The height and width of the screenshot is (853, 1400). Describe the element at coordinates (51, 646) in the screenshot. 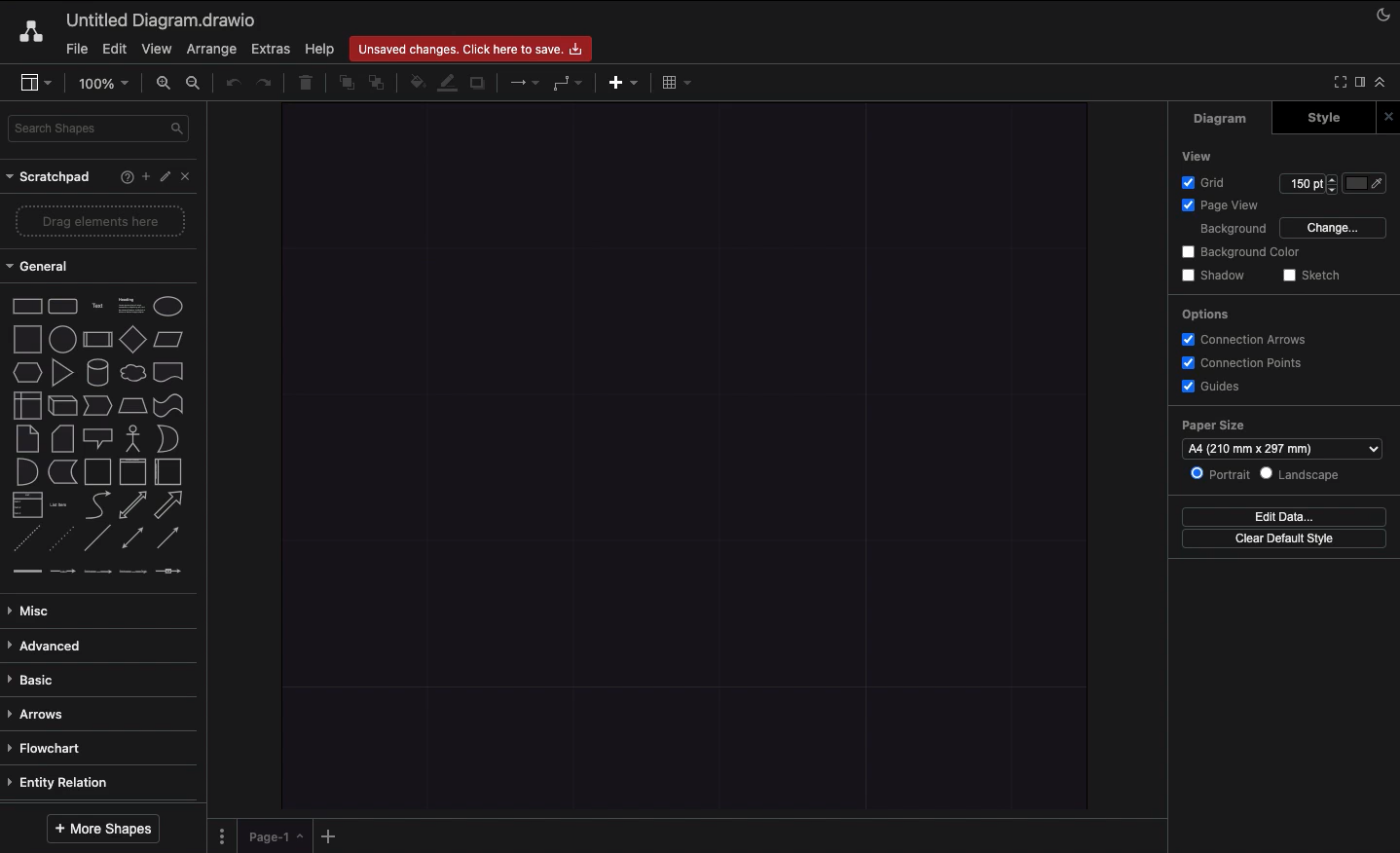

I see `Advanced` at that location.